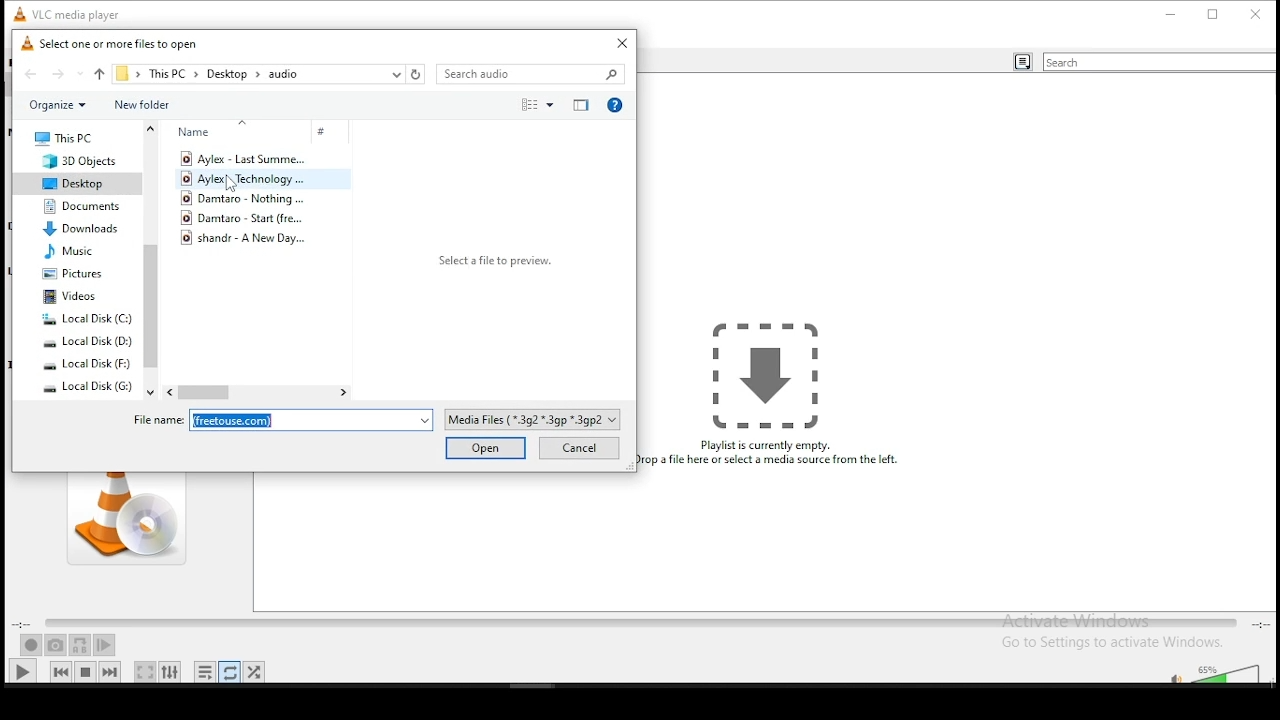  I want to click on up, so click(100, 73).